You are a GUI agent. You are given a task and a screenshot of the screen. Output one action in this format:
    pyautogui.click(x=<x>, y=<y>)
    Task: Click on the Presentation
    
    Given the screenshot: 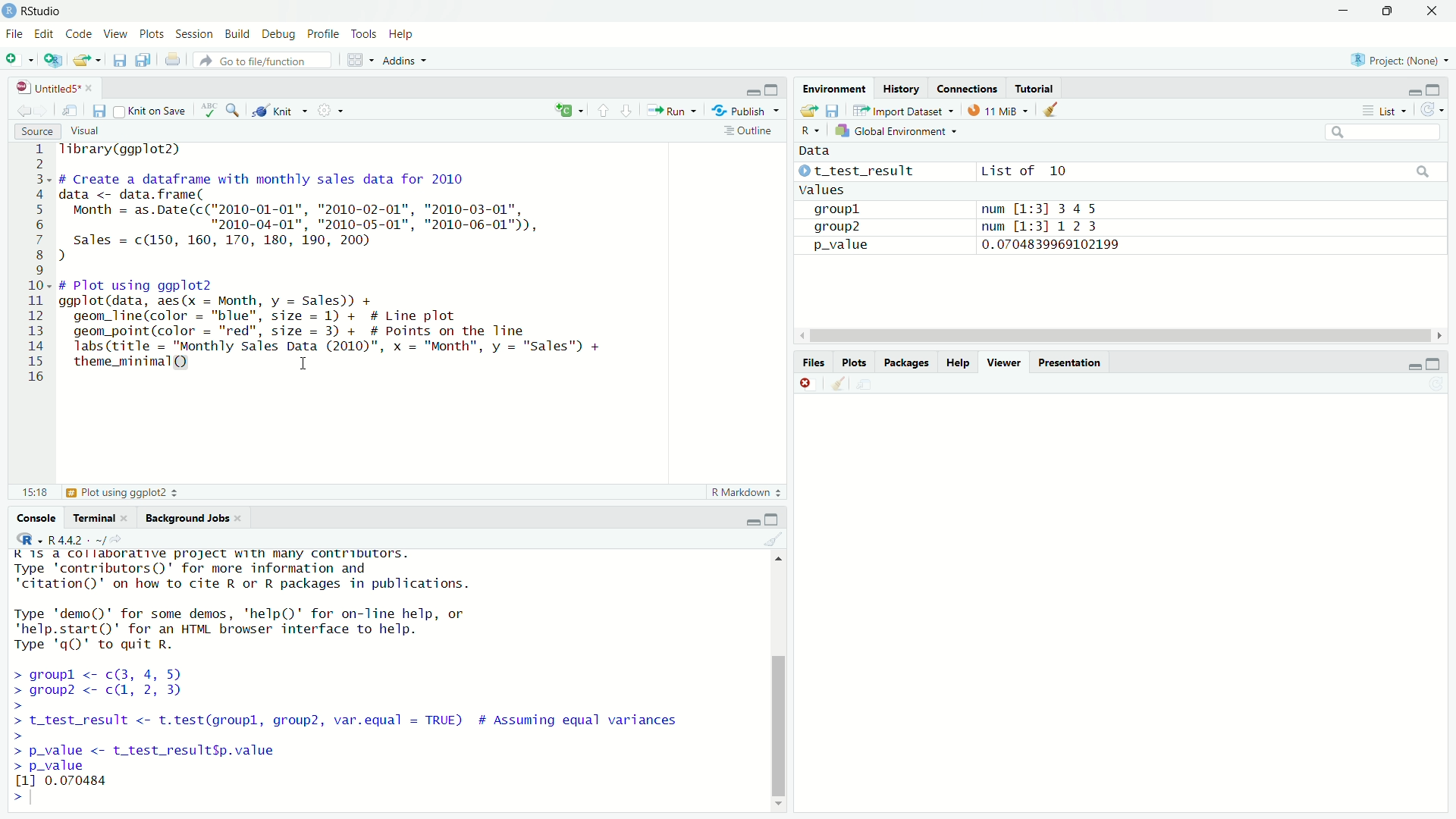 What is the action you would take?
    pyautogui.click(x=1071, y=361)
    